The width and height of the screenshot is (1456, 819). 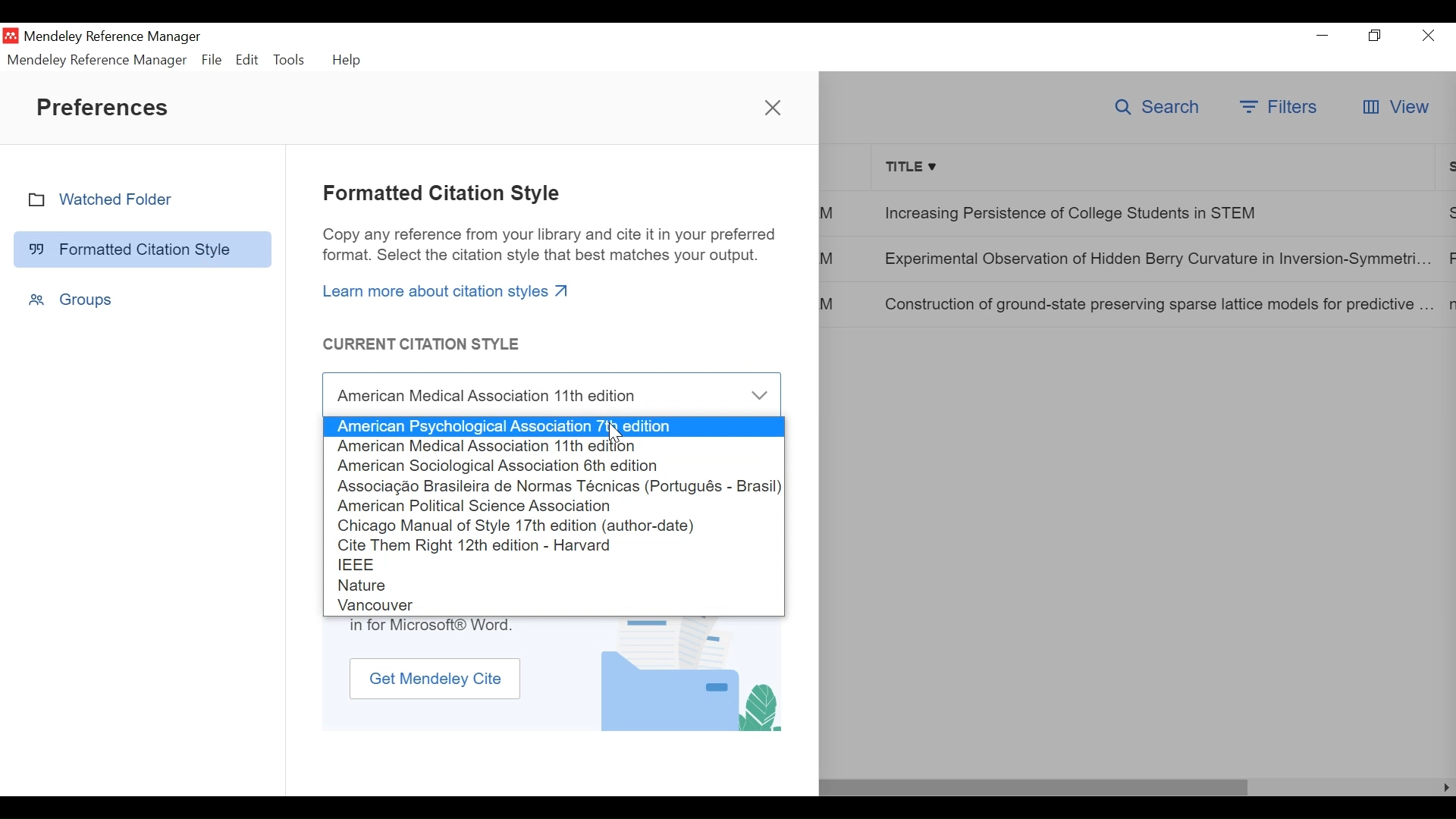 What do you see at coordinates (556, 547) in the screenshot?
I see `Cite Them Right 12th Edition` at bounding box center [556, 547].